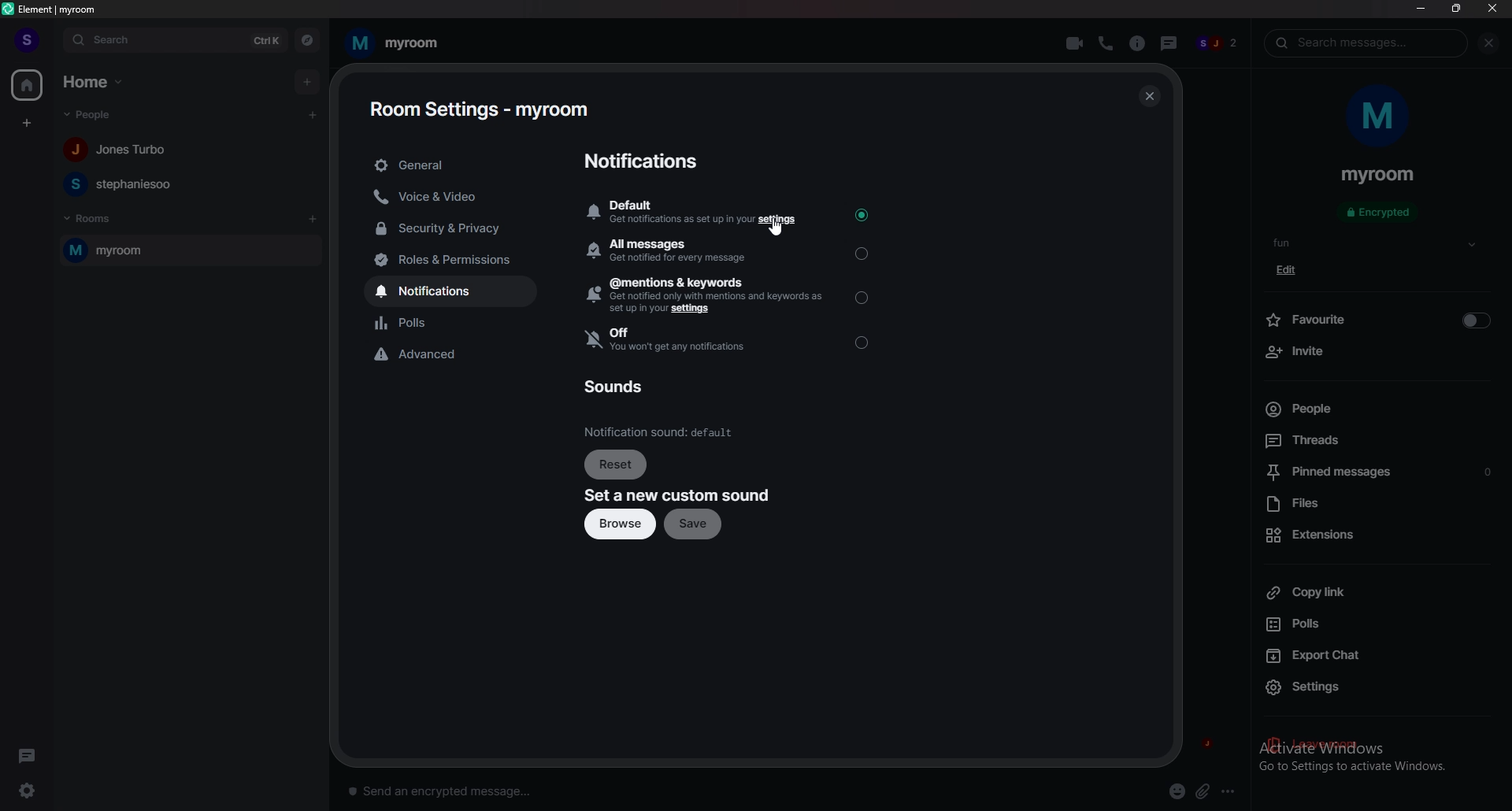 Image resolution: width=1512 pixels, height=811 pixels. Describe the element at coordinates (94, 83) in the screenshot. I see `home` at that location.